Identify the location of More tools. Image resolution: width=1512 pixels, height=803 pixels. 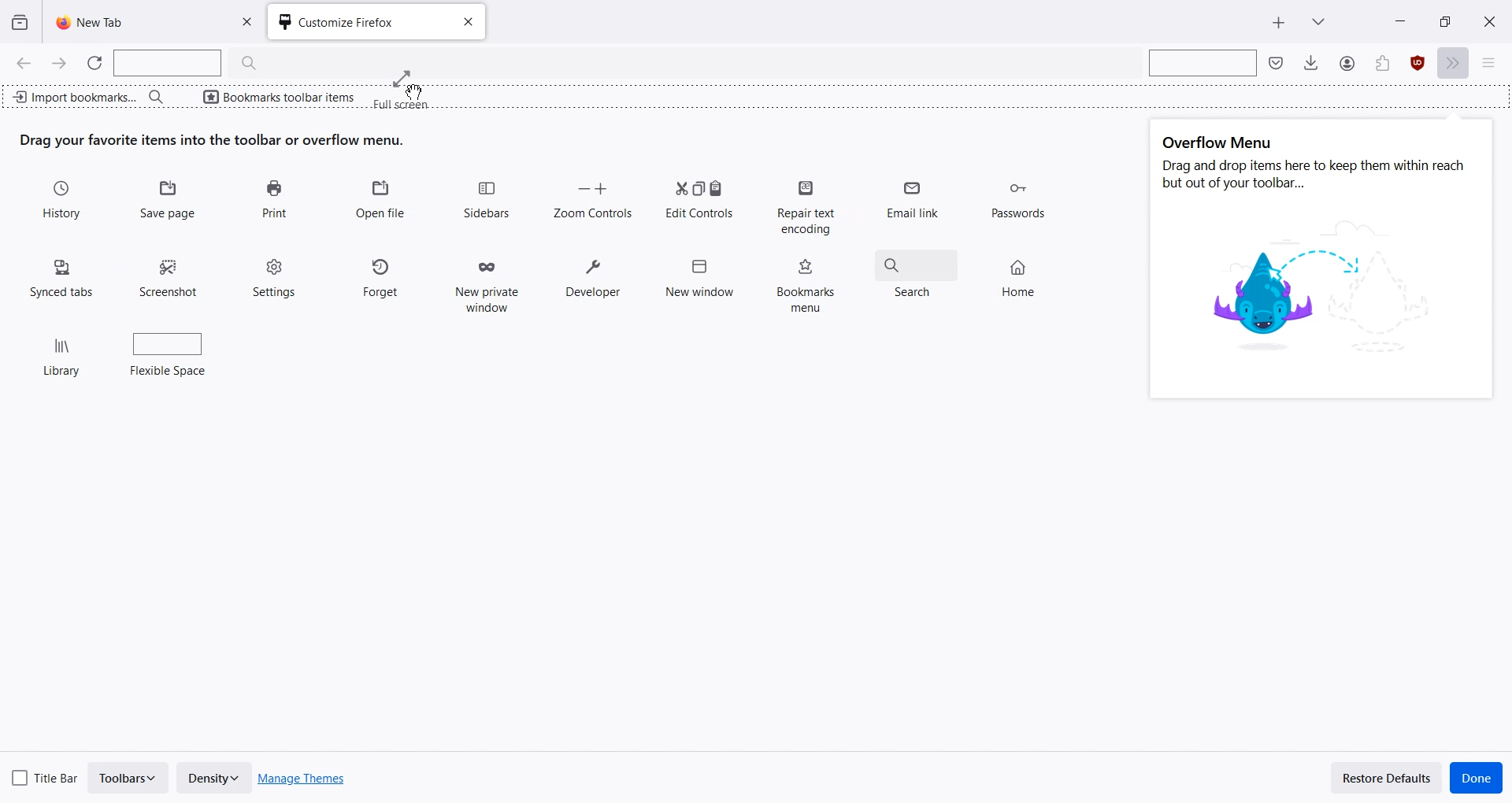
(1456, 64).